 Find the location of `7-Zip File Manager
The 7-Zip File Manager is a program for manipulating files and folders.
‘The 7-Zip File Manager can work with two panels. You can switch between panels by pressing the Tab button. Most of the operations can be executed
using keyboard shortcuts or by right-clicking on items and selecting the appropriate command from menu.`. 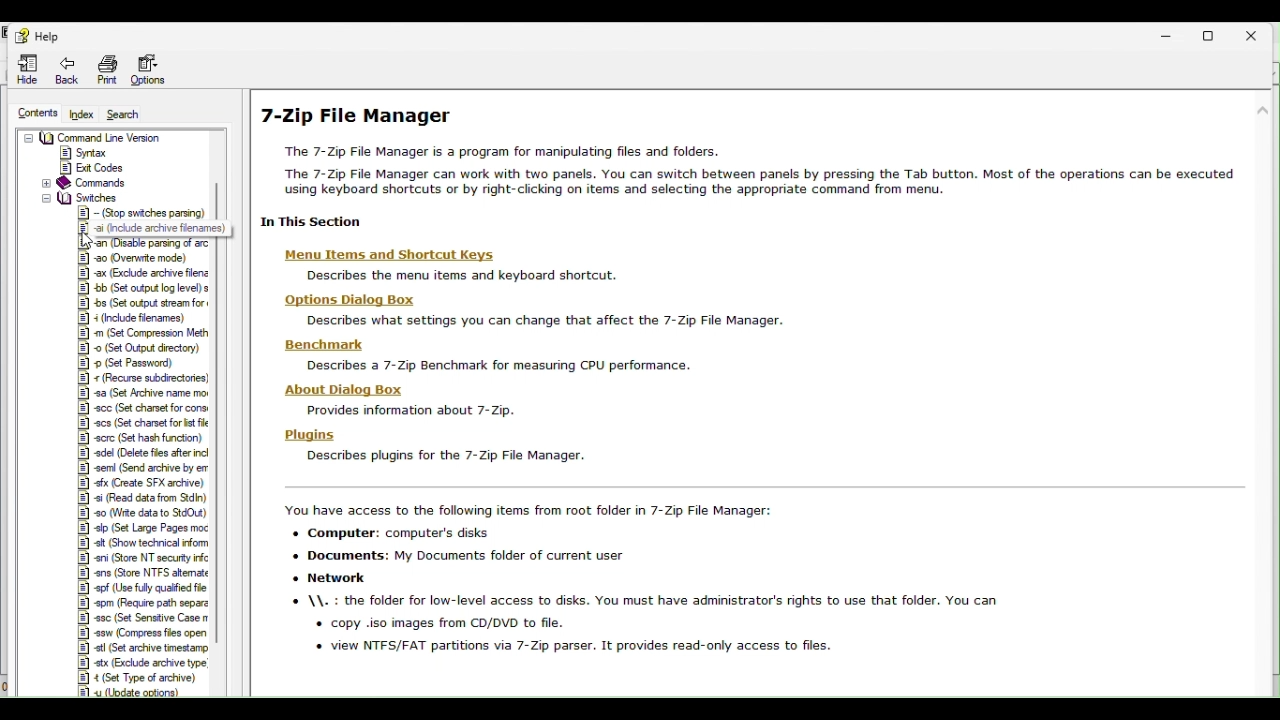

7-Zip File Manager
The 7-Zip File Manager is a program for manipulating files and folders.
‘The 7-Zip File Manager can work with two panels. You can switch between panels by pressing the Tab button. Most of the operations can be executed
using keyboard shortcuts or by right-clicking on items and selecting the appropriate command from menu. is located at coordinates (753, 150).